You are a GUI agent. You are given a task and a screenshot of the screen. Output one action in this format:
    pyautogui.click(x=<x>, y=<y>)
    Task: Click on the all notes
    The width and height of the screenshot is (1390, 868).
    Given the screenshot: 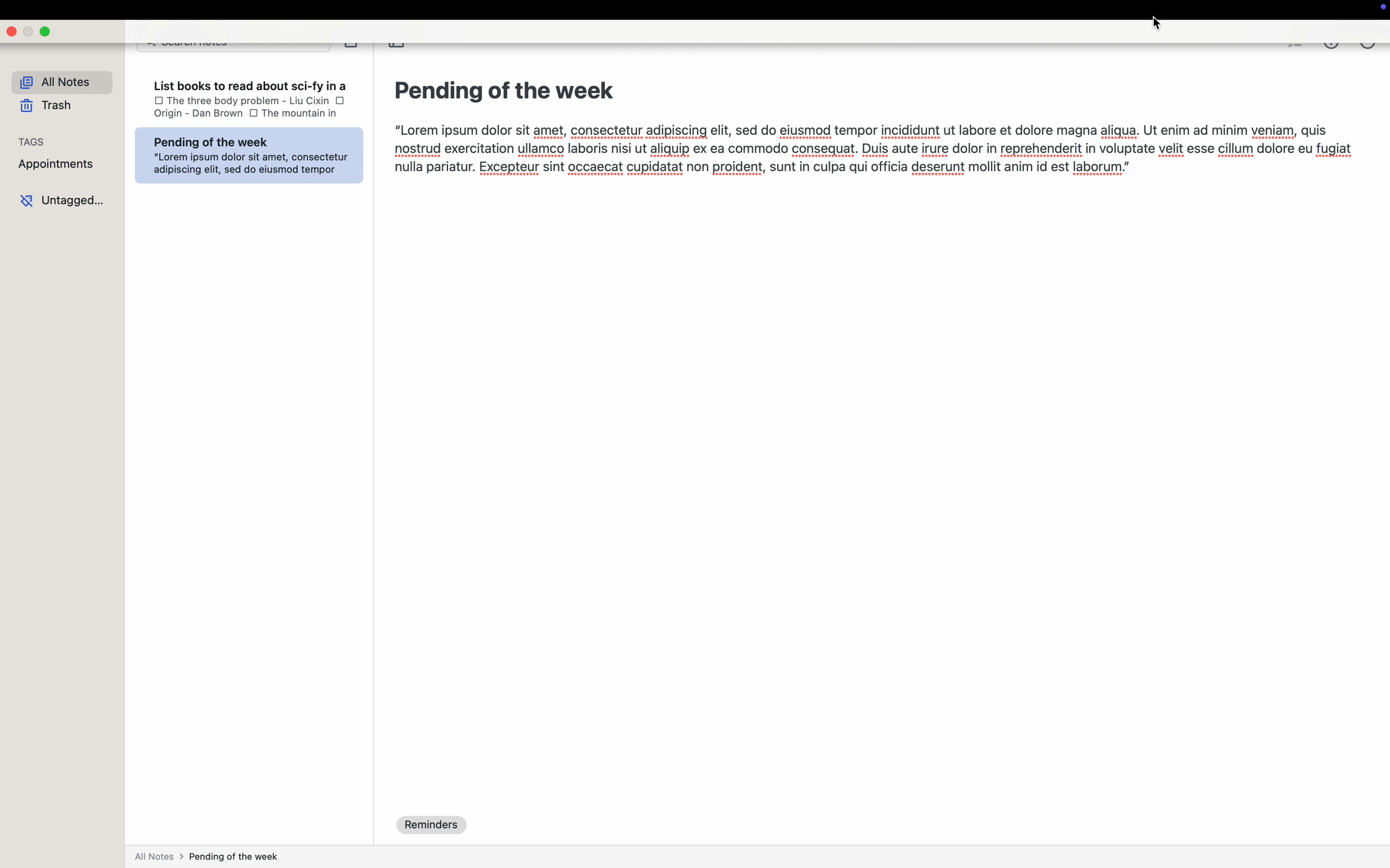 What is the action you would take?
    pyautogui.click(x=61, y=82)
    